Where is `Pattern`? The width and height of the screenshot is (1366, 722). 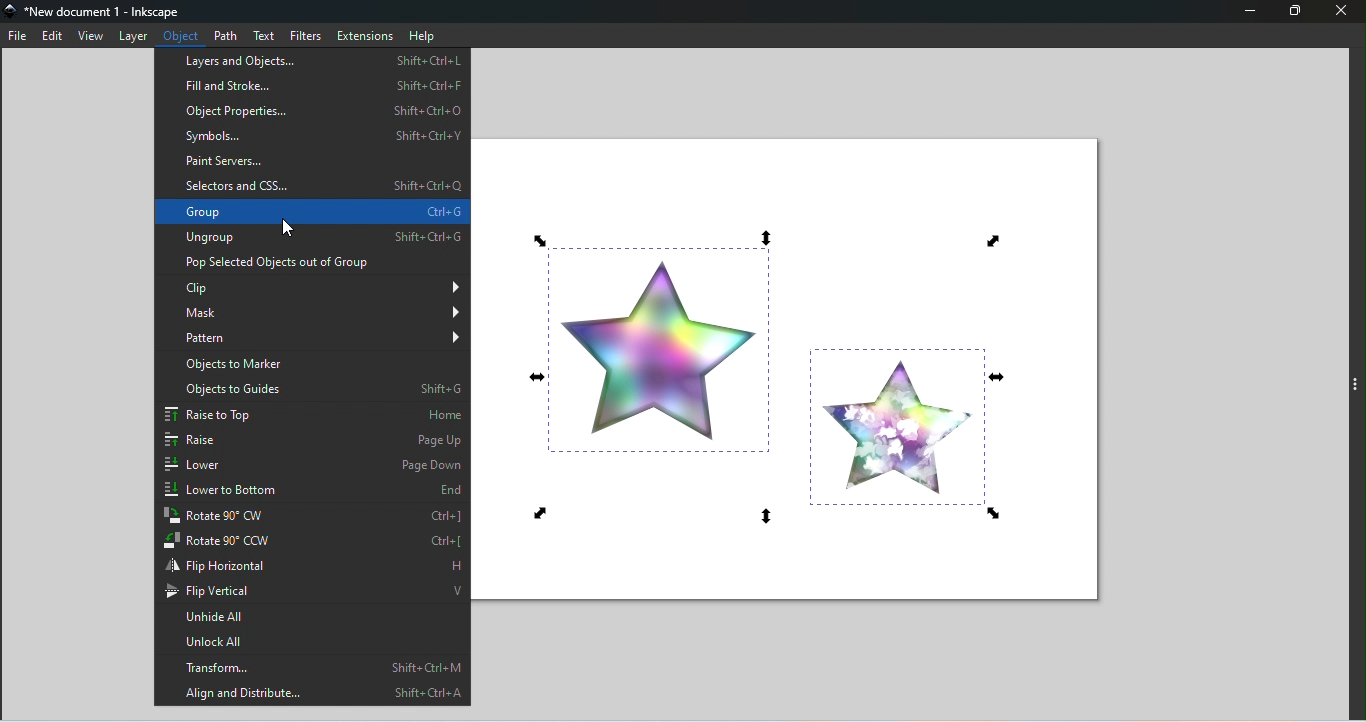 Pattern is located at coordinates (314, 341).